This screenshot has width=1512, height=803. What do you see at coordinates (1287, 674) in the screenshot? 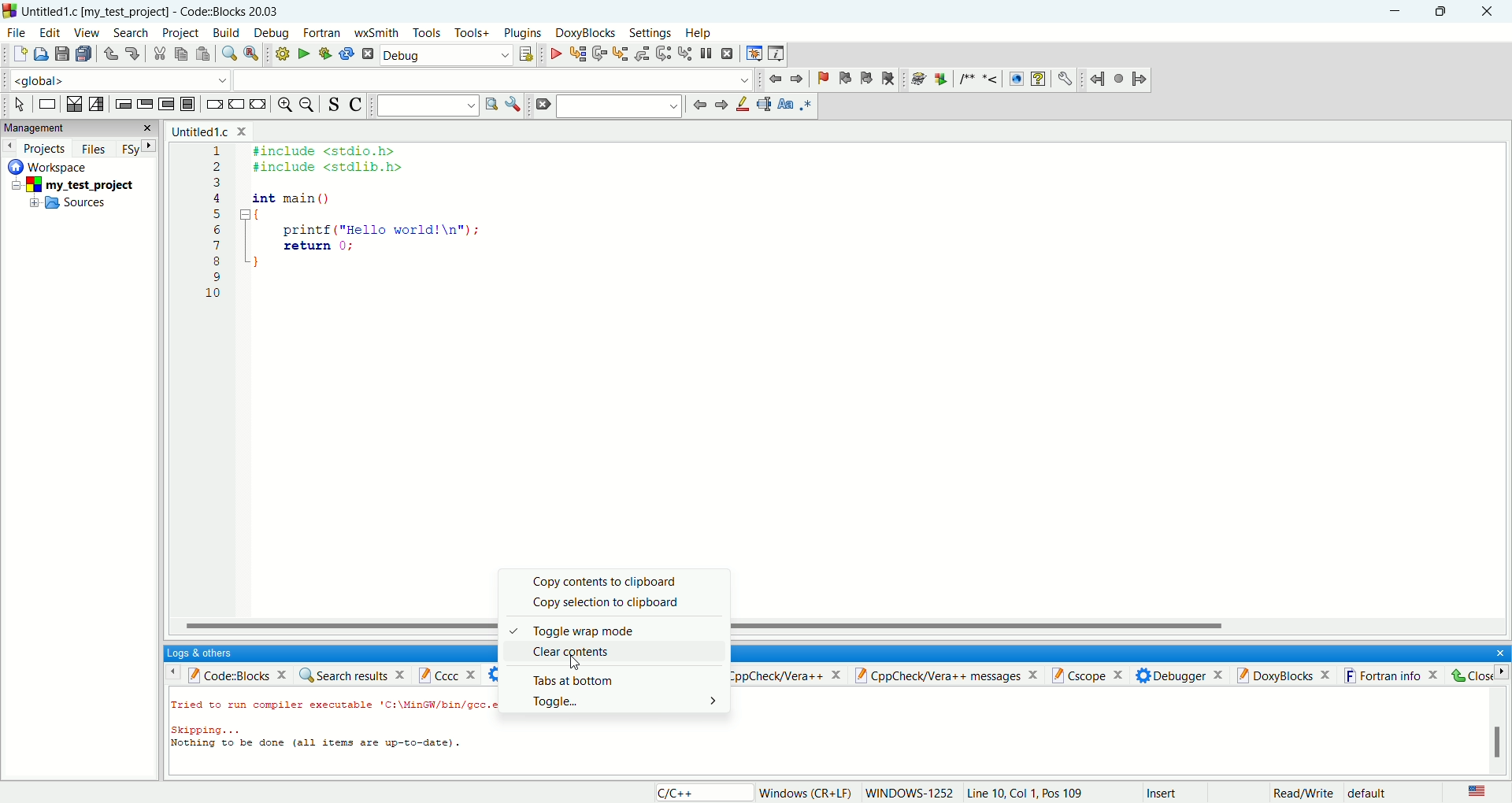
I see `doxyblocks` at bounding box center [1287, 674].